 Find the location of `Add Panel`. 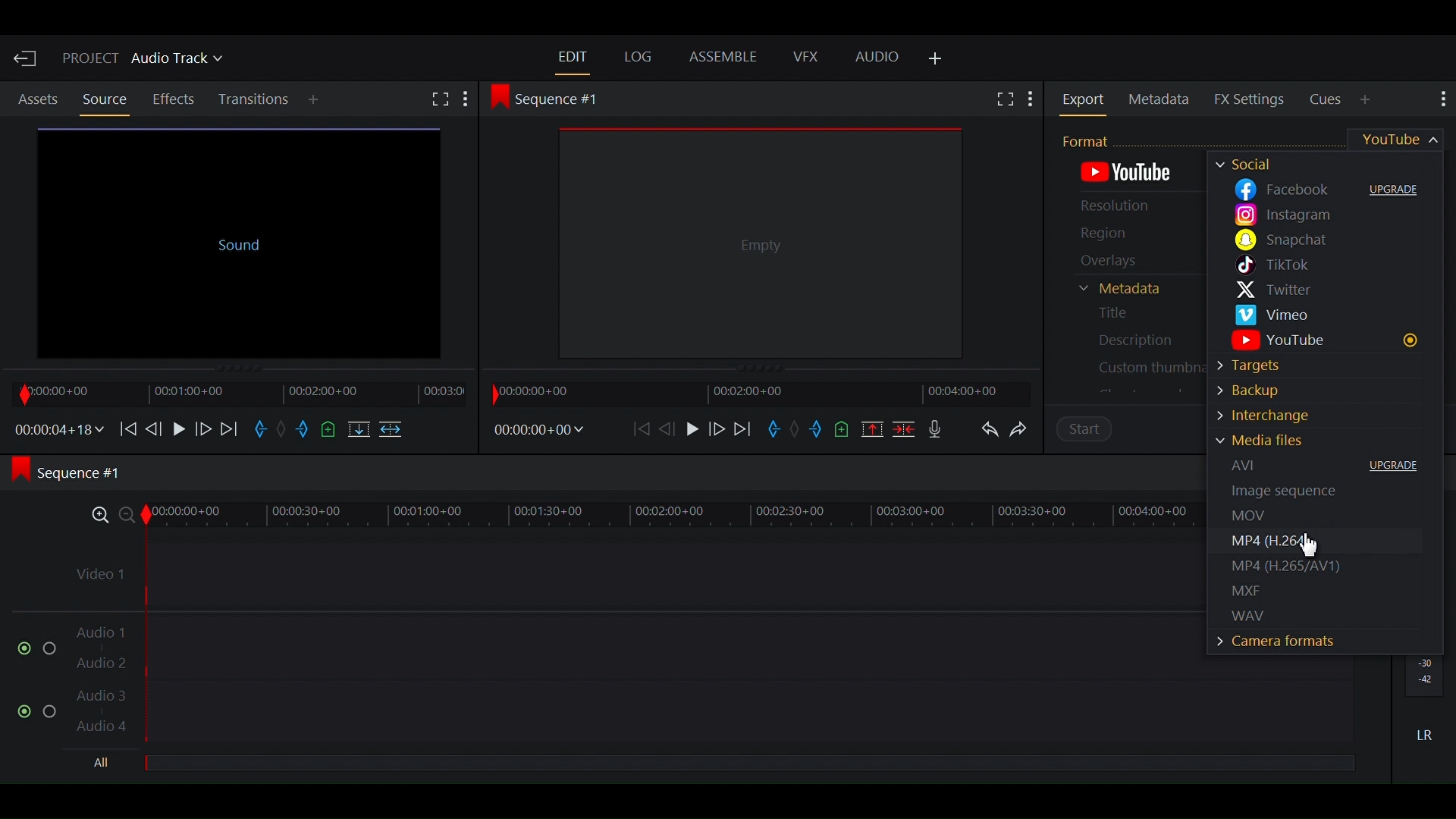

Add Panel is located at coordinates (316, 101).